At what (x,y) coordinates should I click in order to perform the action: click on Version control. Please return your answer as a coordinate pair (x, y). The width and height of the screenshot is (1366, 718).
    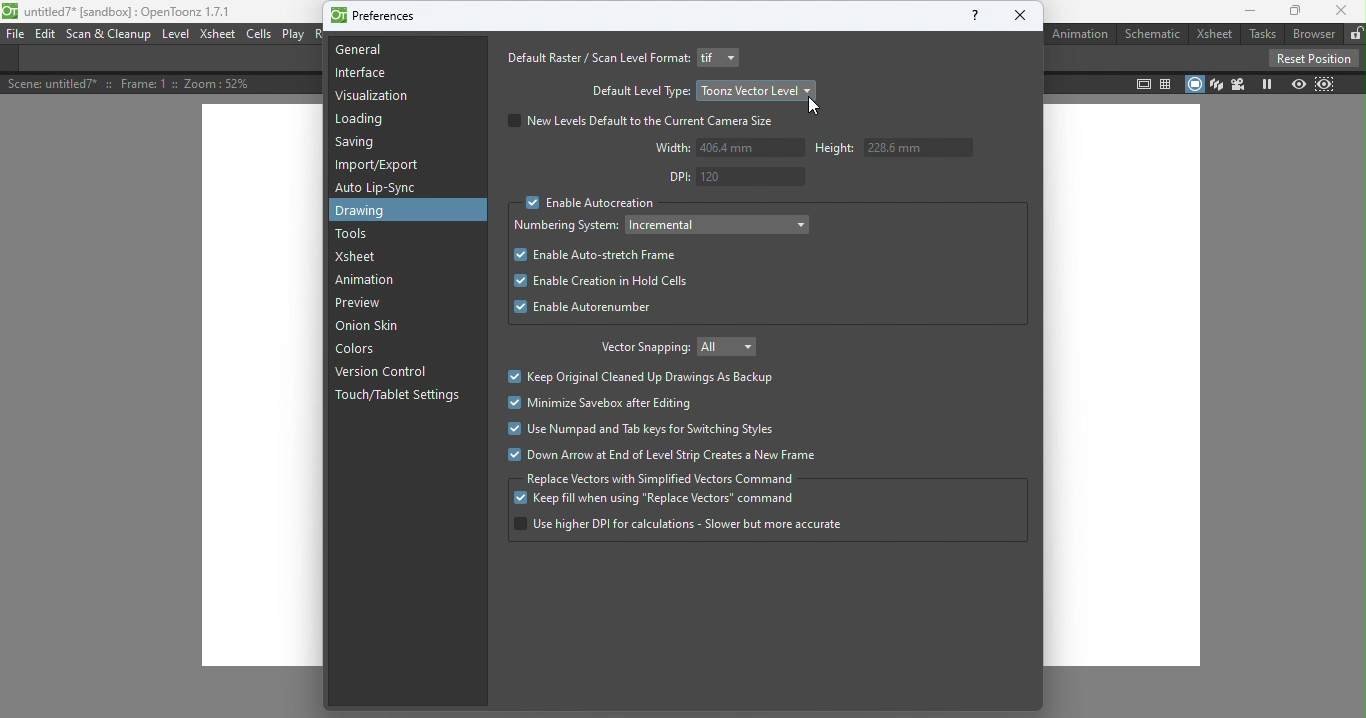
    Looking at the image, I should click on (380, 370).